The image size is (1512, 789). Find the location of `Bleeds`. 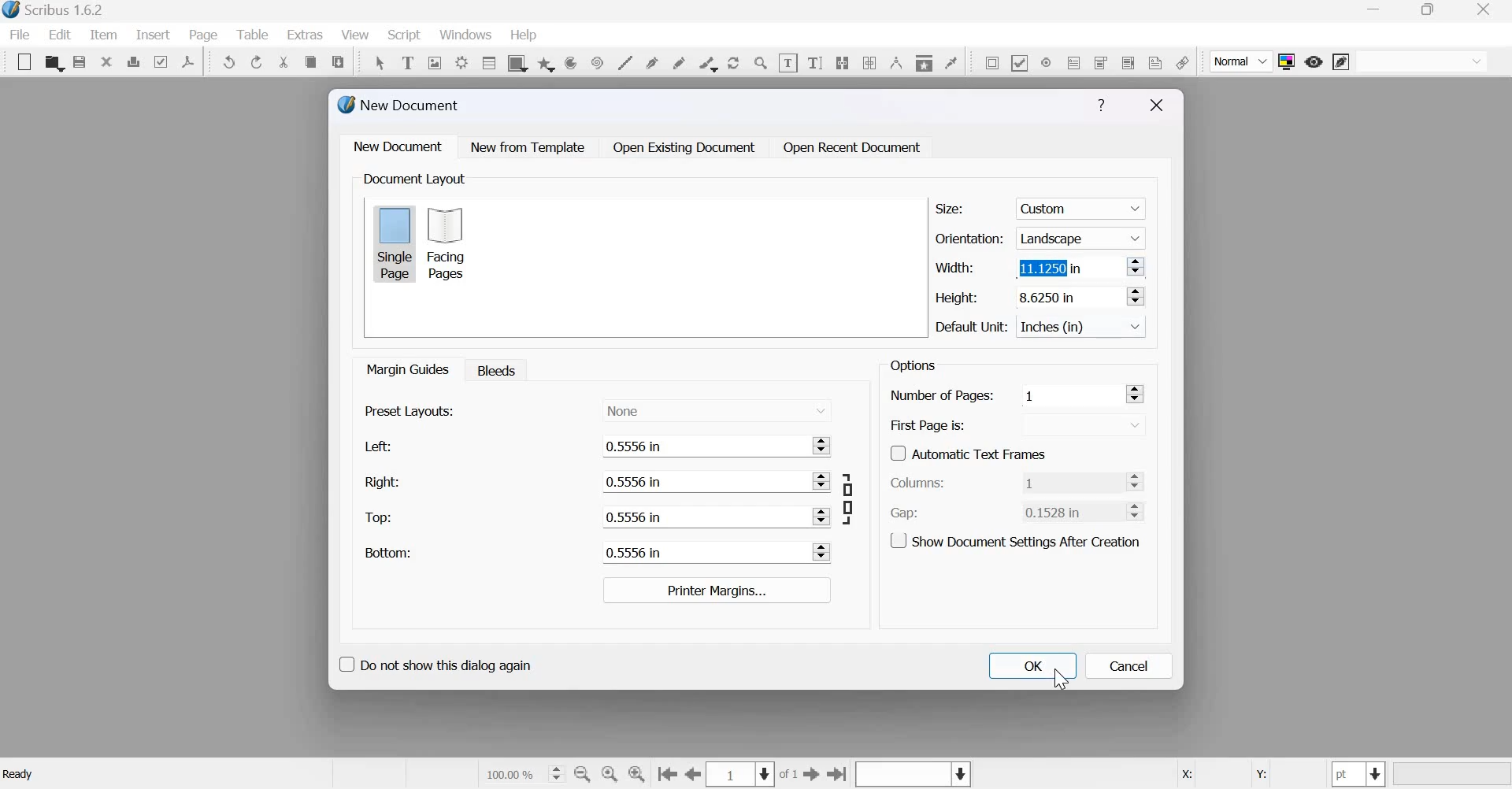

Bleeds is located at coordinates (492, 369).